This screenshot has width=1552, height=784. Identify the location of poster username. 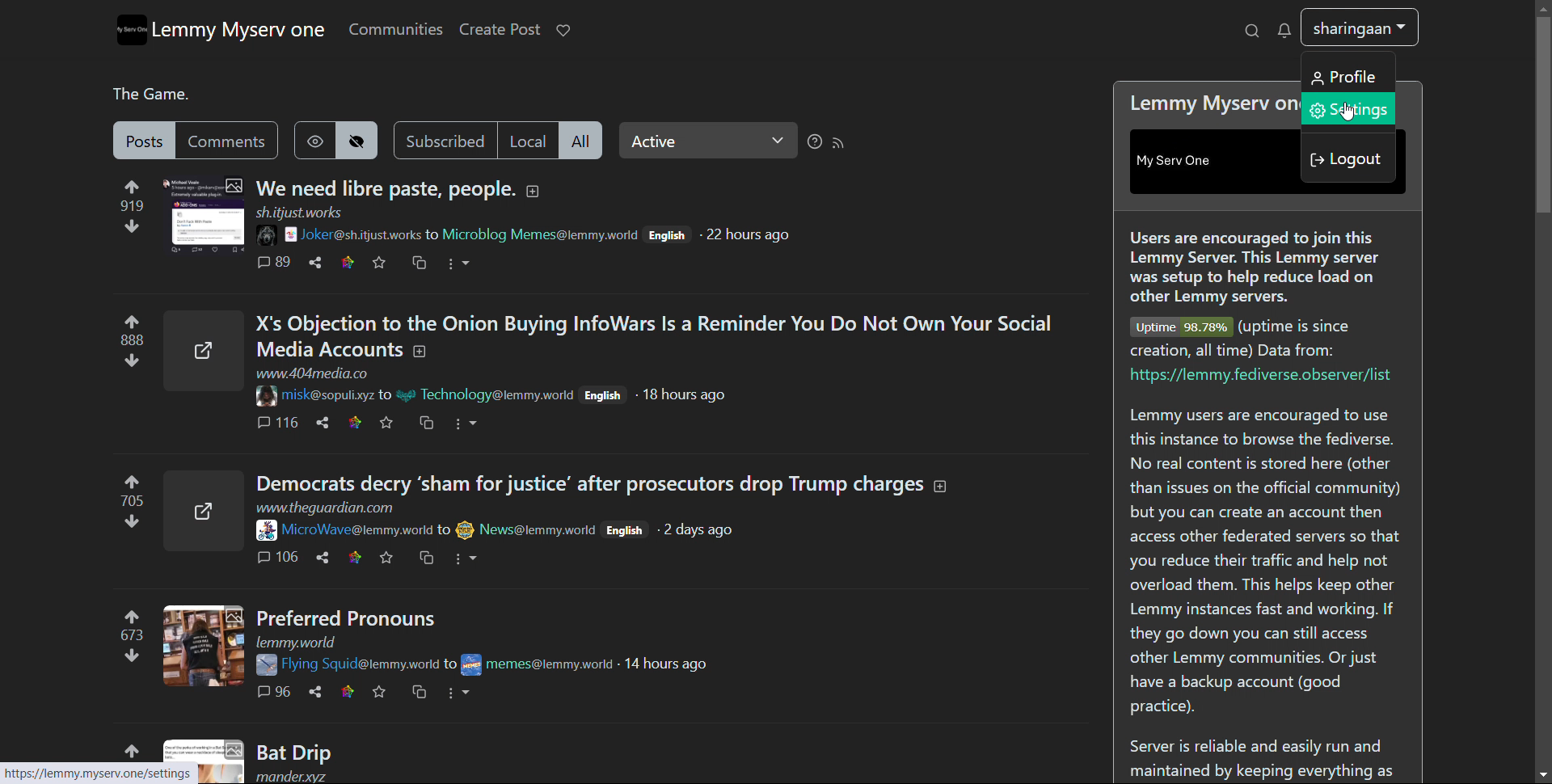
(496, 396).